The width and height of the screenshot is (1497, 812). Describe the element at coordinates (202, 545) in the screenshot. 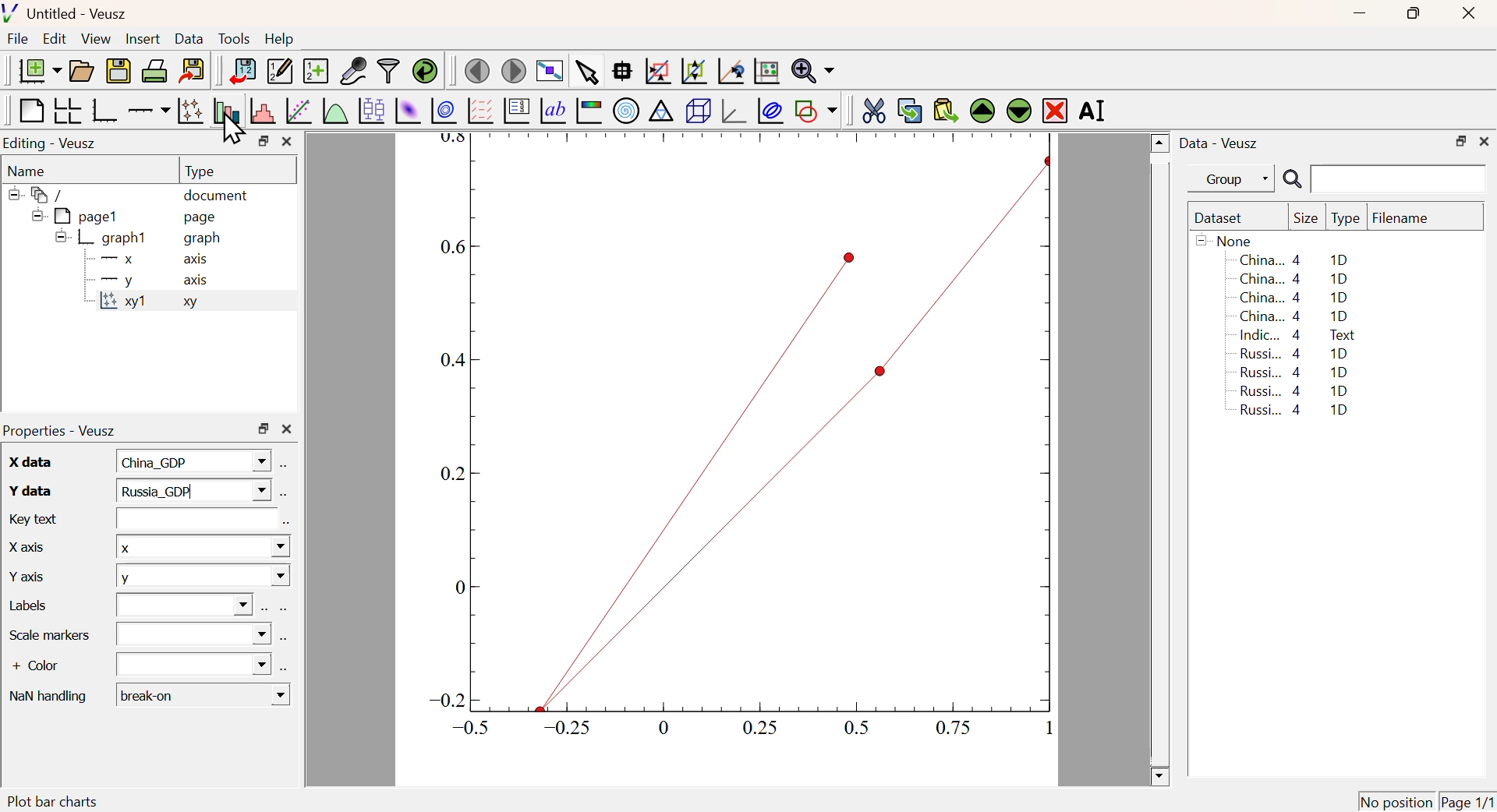

I see `X` at that location.